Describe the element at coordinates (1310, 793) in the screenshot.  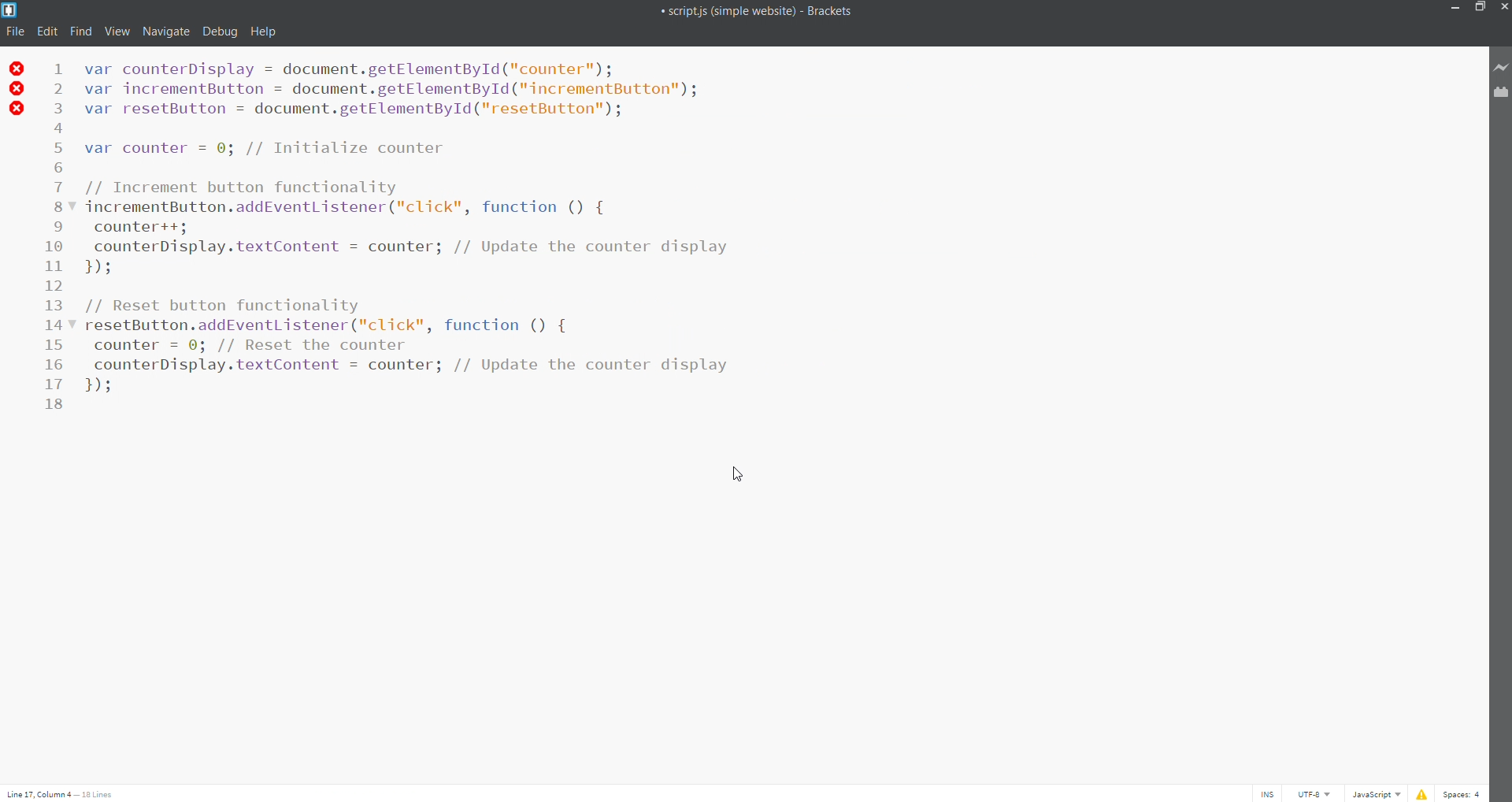
I see `encoding` at that location.